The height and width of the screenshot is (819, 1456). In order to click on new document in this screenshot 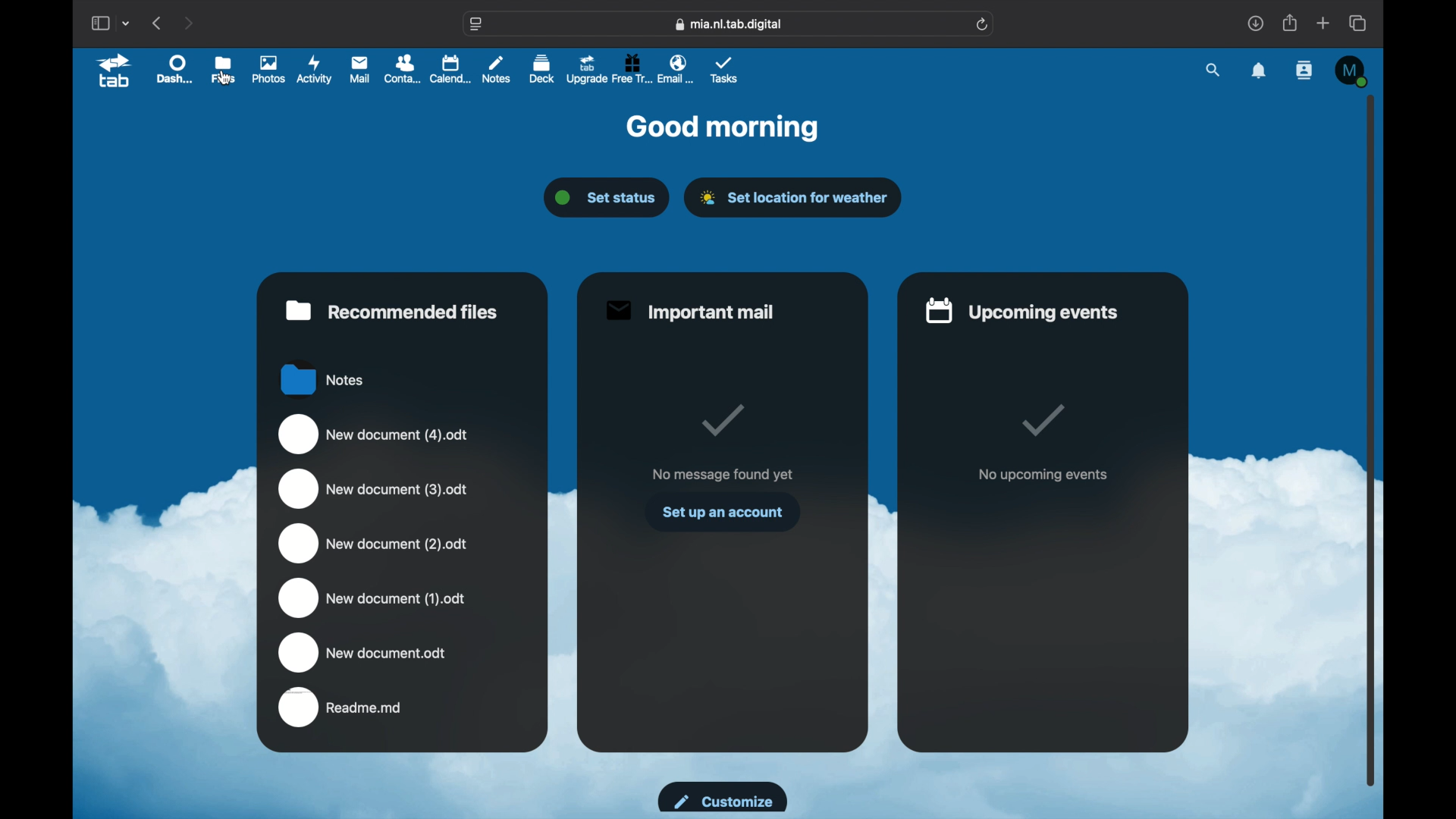, I will do `click(375, 435)`.